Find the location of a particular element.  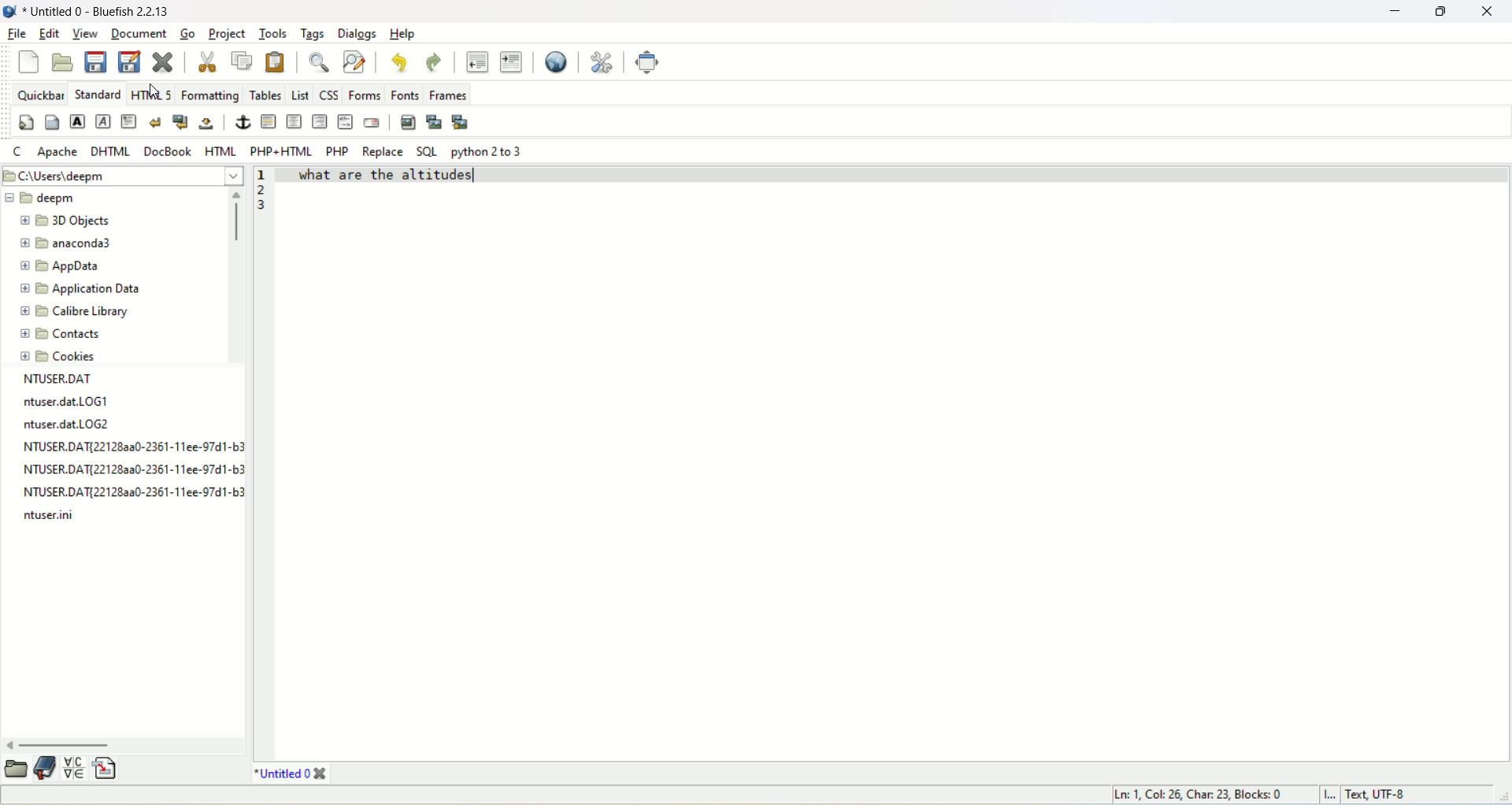

insert file is located at coordinates (109, 768).